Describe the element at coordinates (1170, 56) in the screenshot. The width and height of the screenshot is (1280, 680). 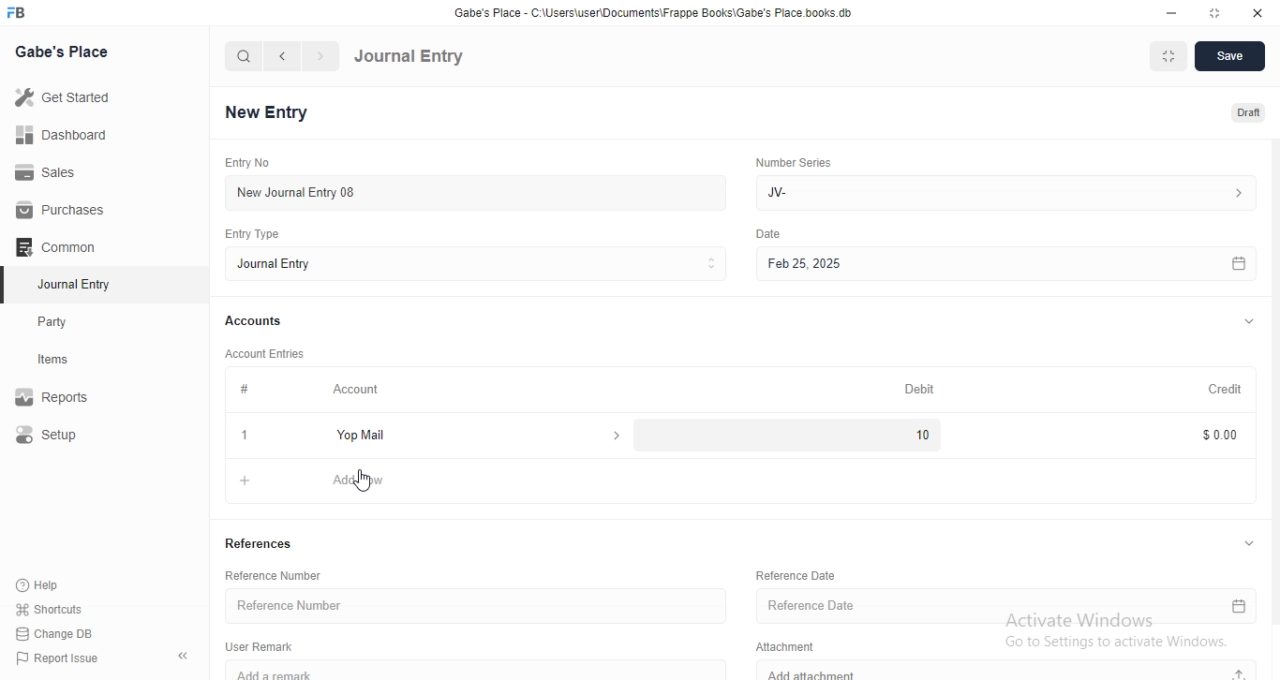
I see `Fit to Window` at that location.